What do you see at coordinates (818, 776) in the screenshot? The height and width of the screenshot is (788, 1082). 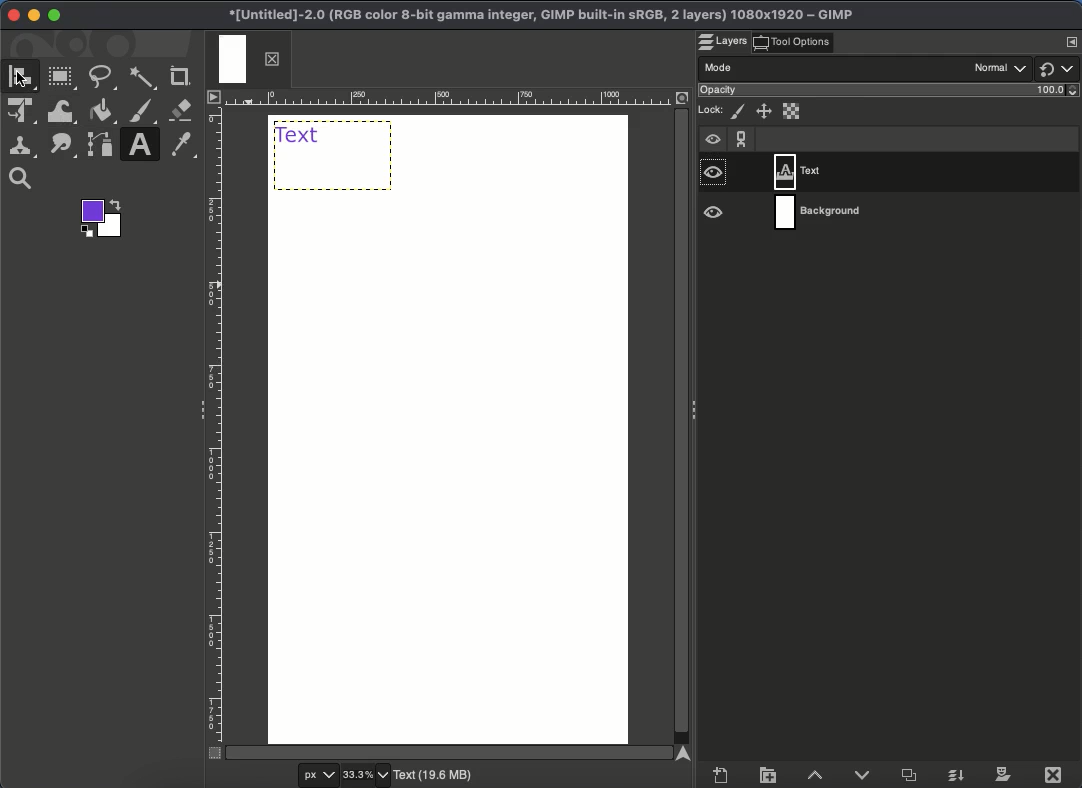 I see `Raise layer` at bounding box center [818, 776].